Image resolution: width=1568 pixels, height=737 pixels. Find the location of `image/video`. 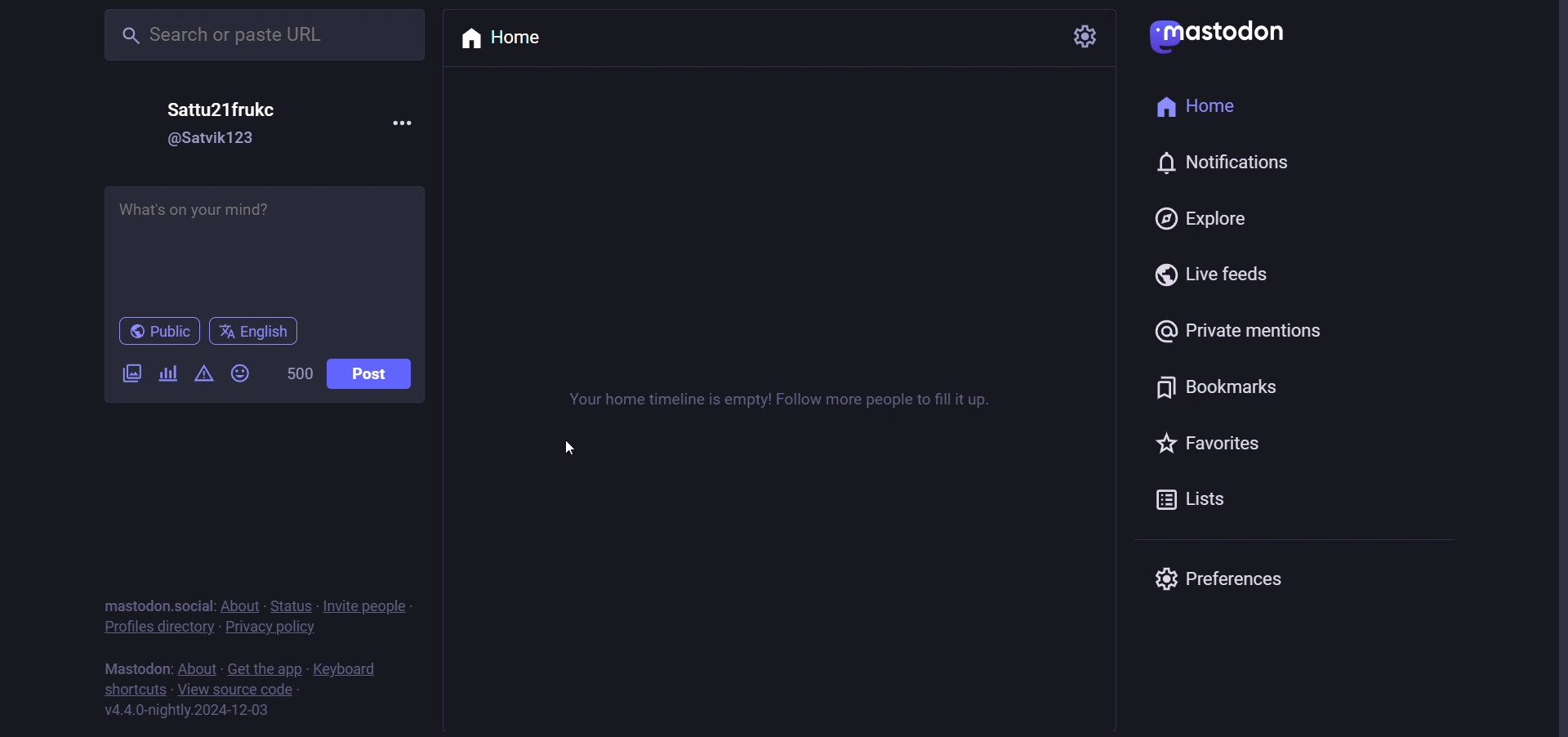

image/video is located at coordinates (127, 369).